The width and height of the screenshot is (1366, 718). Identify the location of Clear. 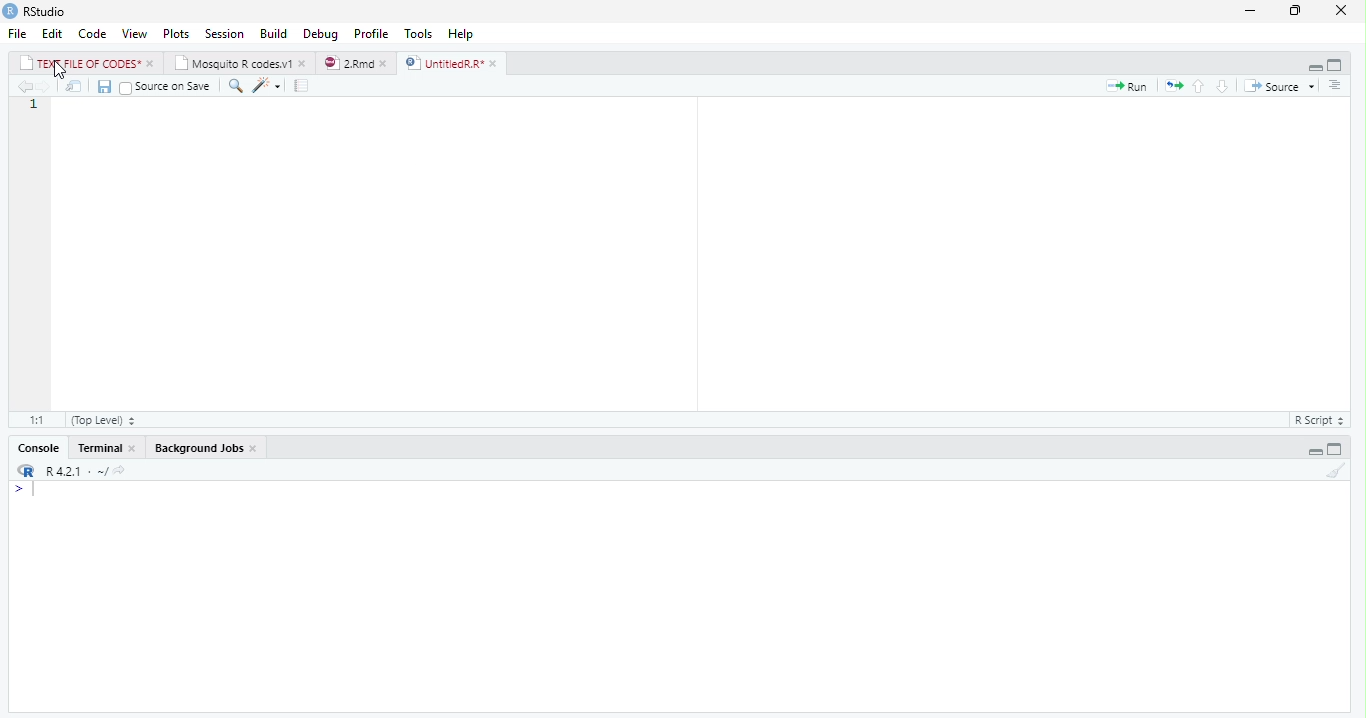
(1334, 470).